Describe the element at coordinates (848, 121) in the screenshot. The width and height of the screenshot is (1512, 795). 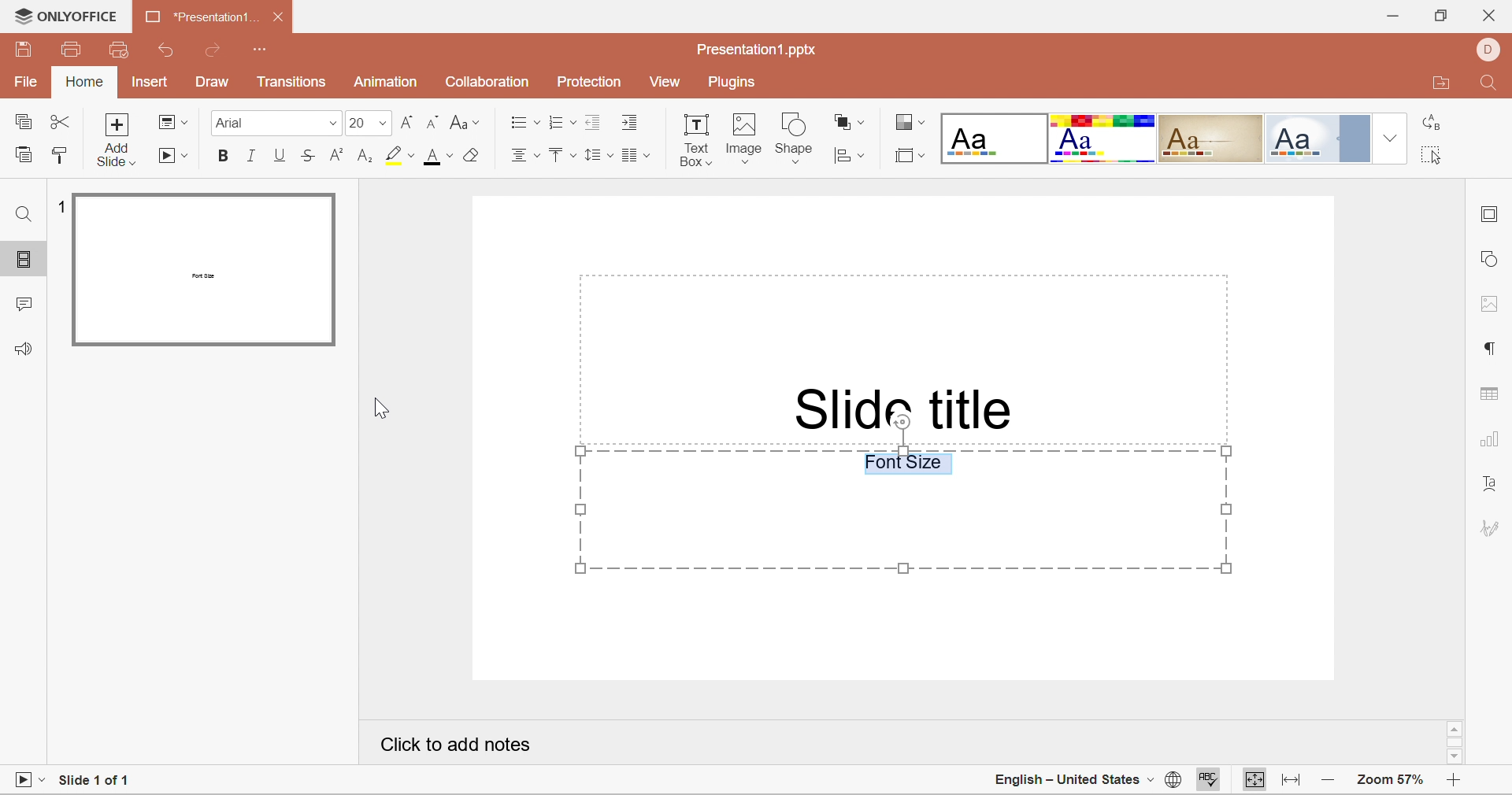
I see `Arrange shape` at that location.